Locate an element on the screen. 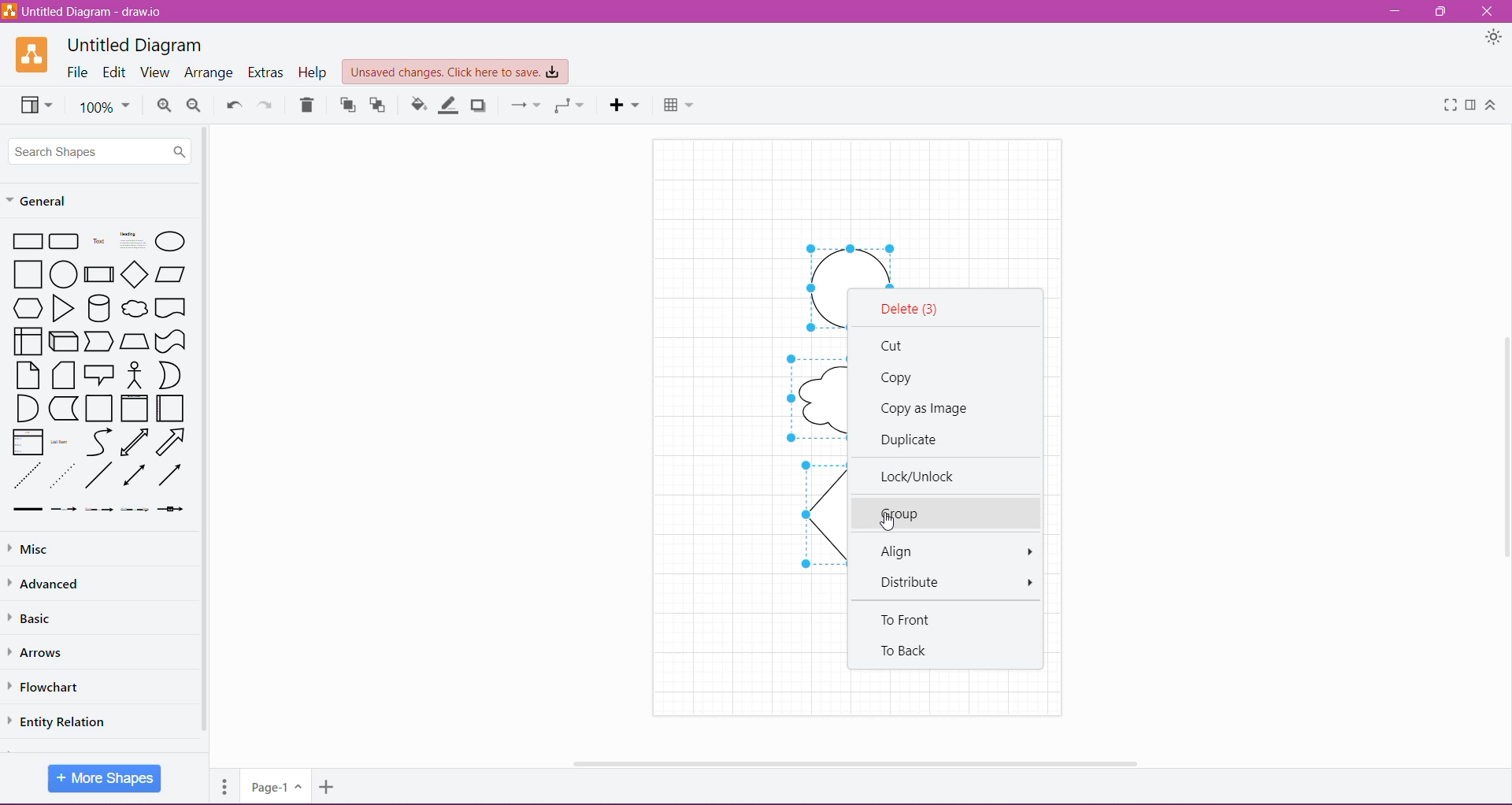  Application Logo is located at coordinates (33, 54).